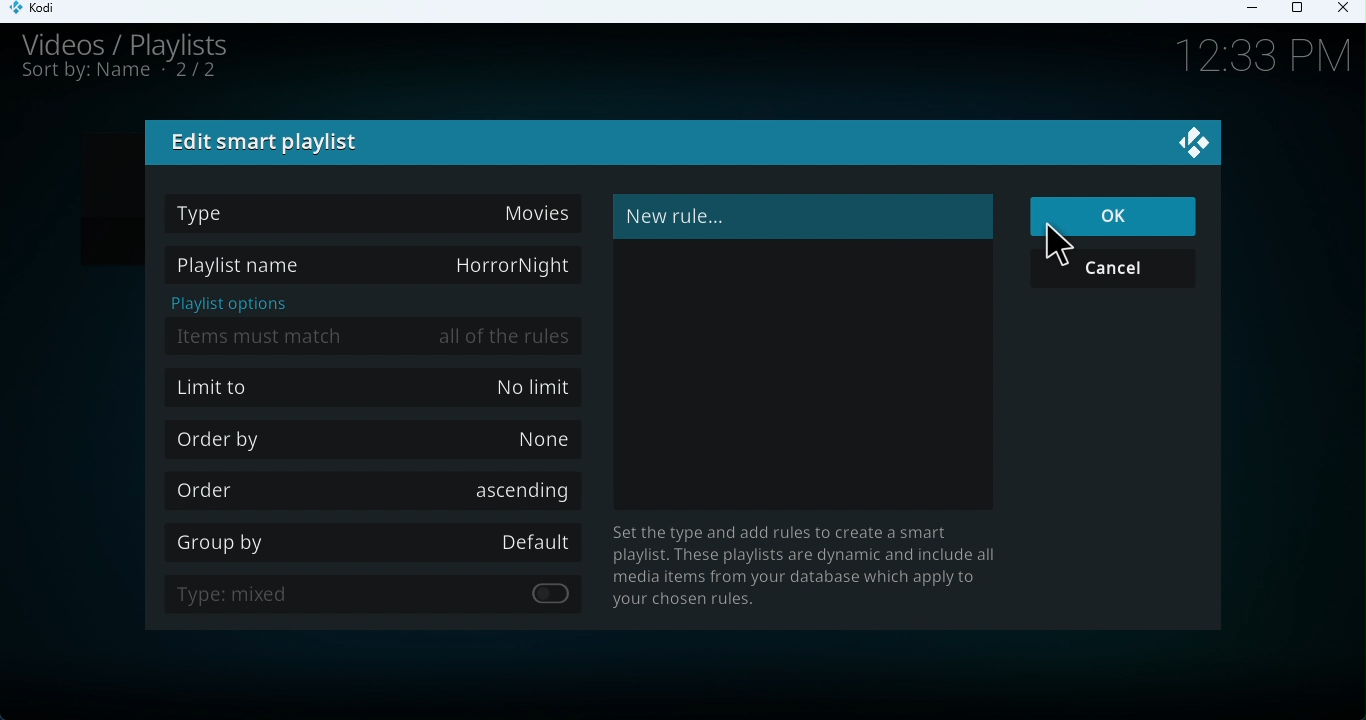  I want to click on Sort by: Name 2/2, so click(120, 76).